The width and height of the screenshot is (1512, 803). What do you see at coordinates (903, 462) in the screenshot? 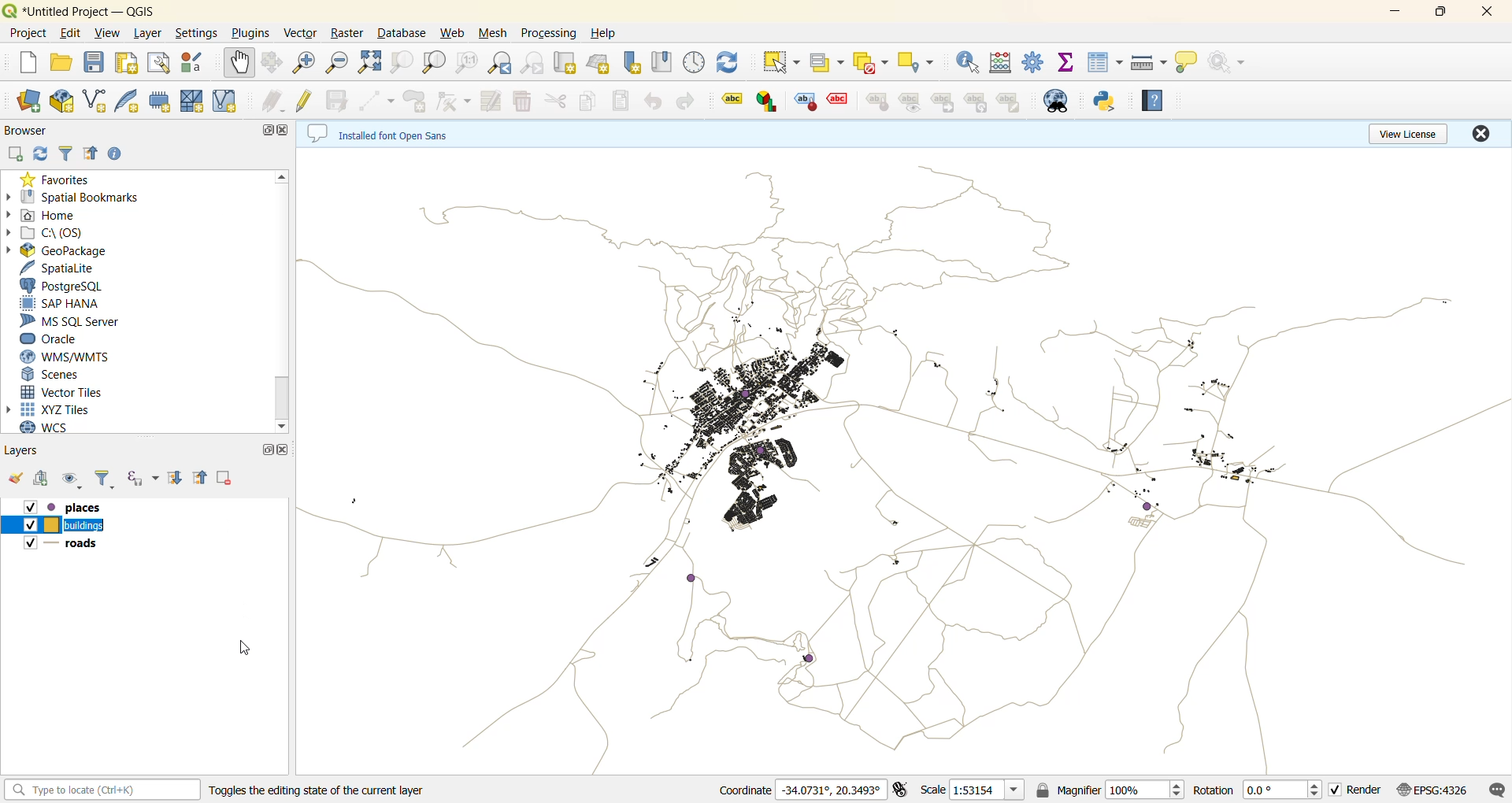
I see `layers` at bounding box center [903, 462].